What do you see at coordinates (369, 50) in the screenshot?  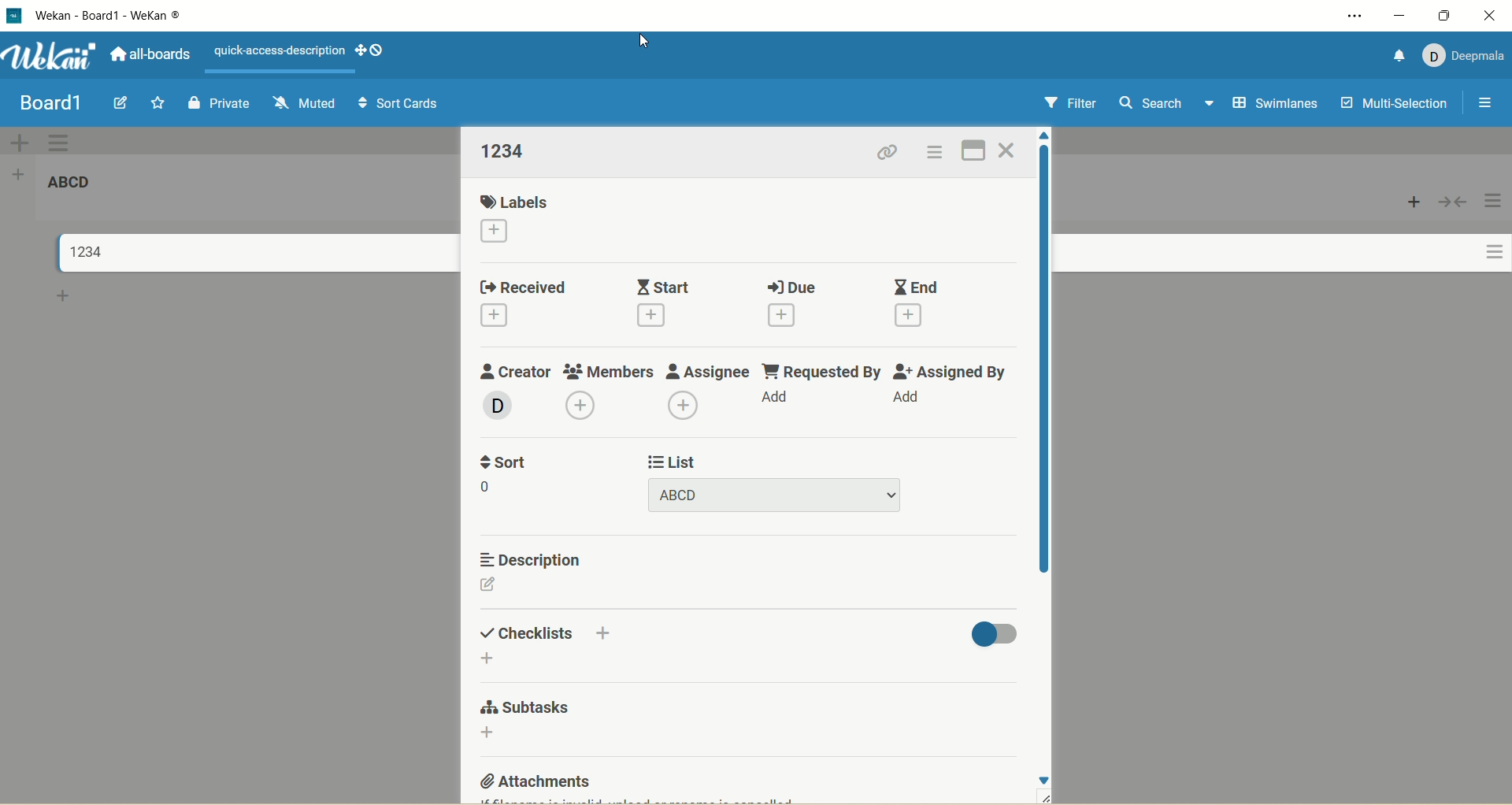 I see `show-desktop-drag-handles` at bounding box center [369, 50].